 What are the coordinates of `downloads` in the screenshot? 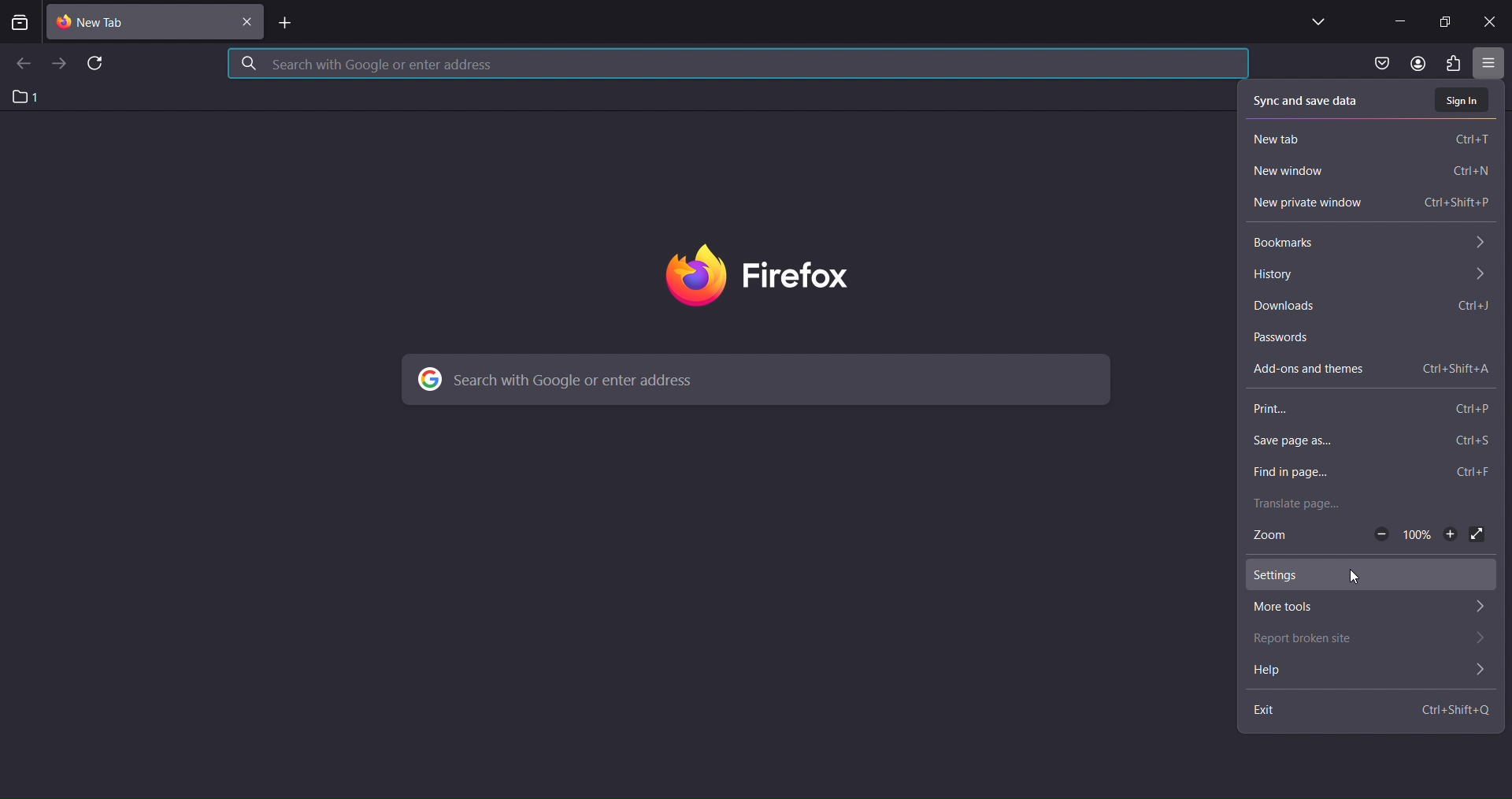 It's located at (1373, 307).